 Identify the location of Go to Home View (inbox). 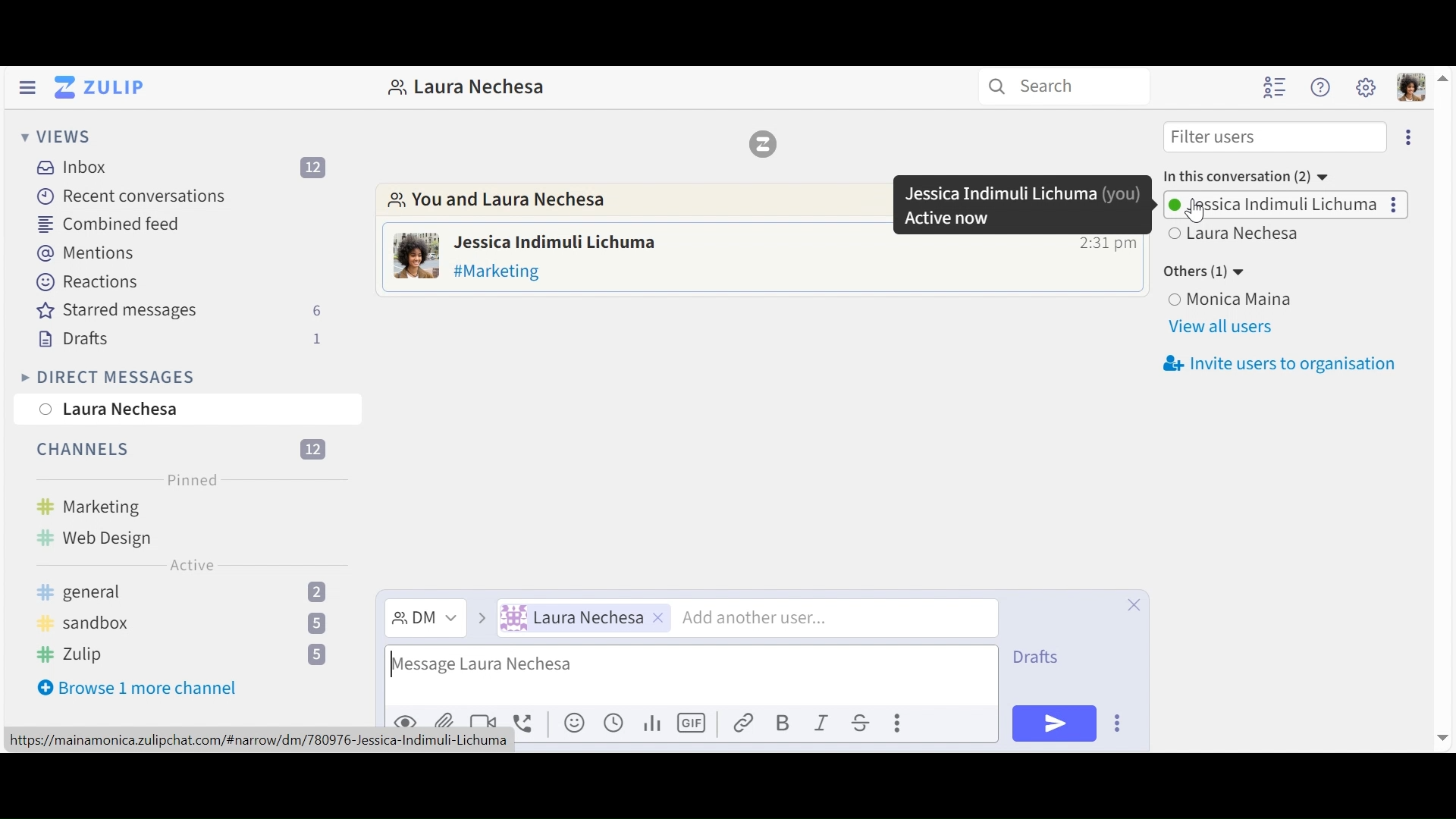
(101, 88).